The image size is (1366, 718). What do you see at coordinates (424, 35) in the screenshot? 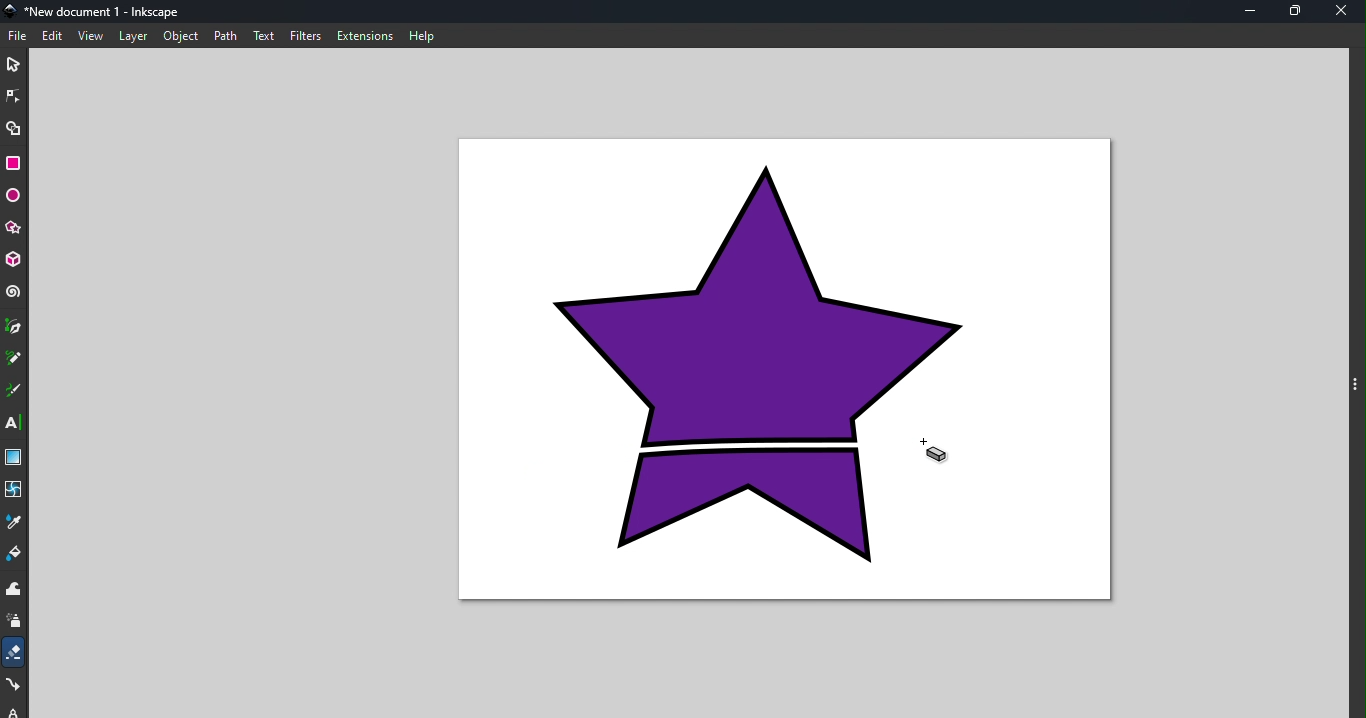
I see `help` at bounding box center [424, 35].